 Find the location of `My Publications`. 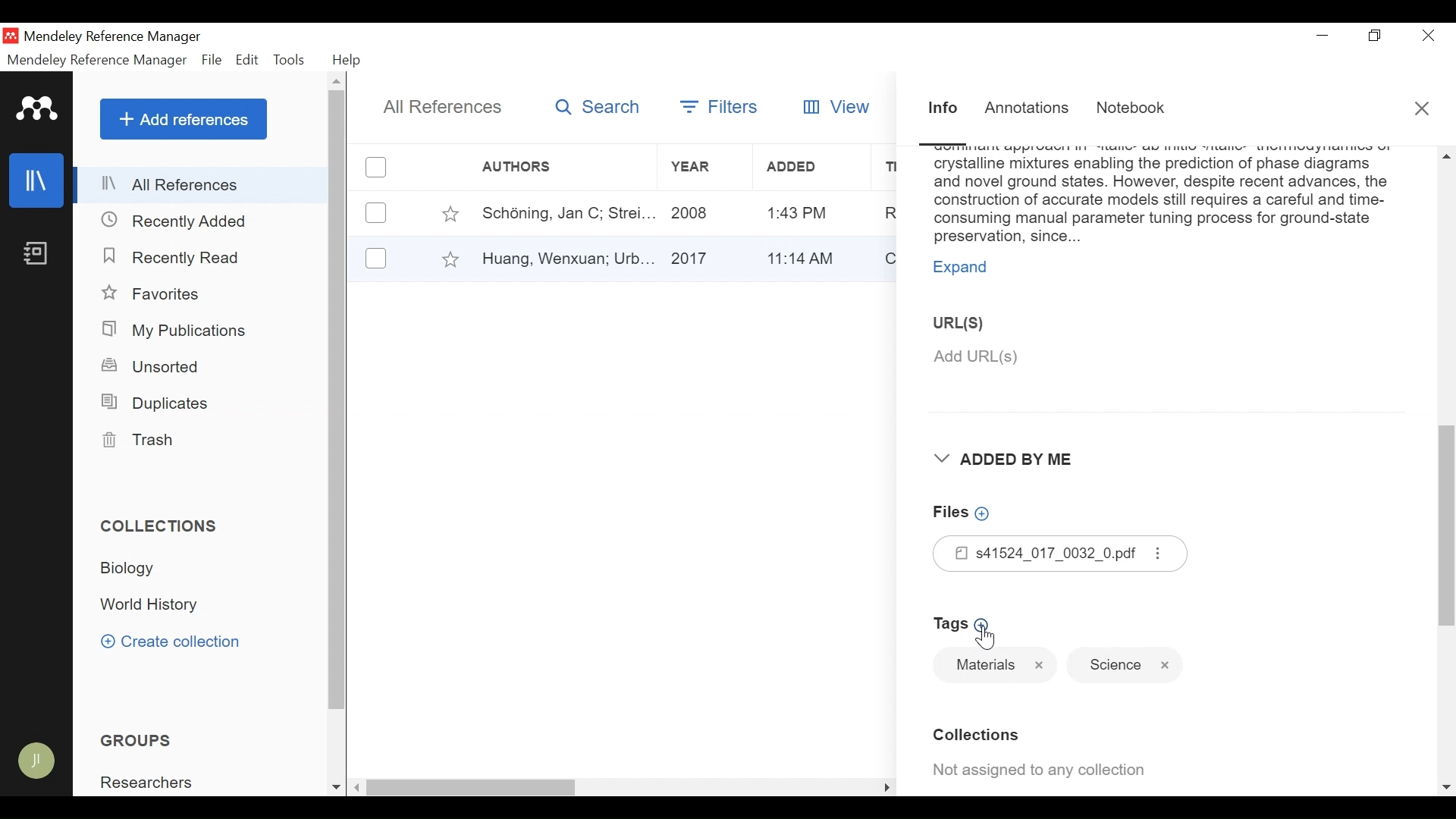

My Publications is located at coordinates (176, 331).